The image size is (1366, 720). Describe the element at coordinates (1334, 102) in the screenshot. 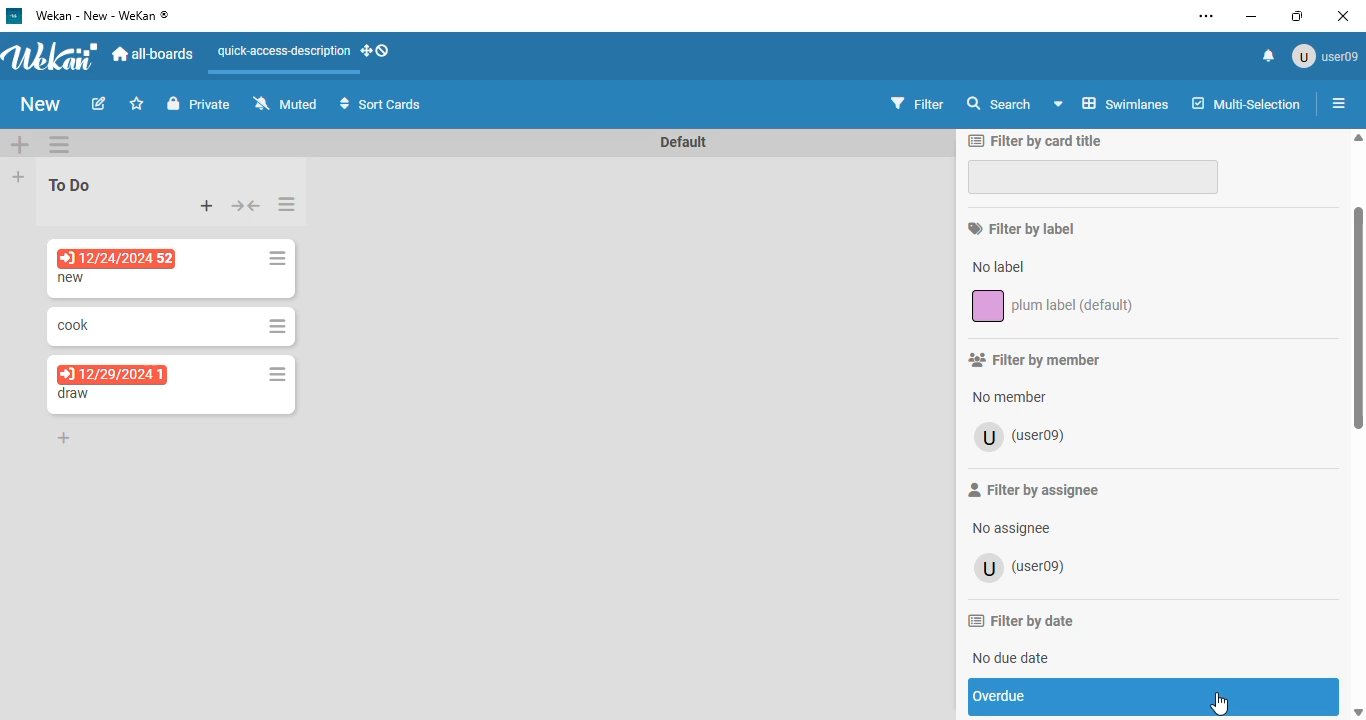

I see `open sidebar or close sidebar` at that location.